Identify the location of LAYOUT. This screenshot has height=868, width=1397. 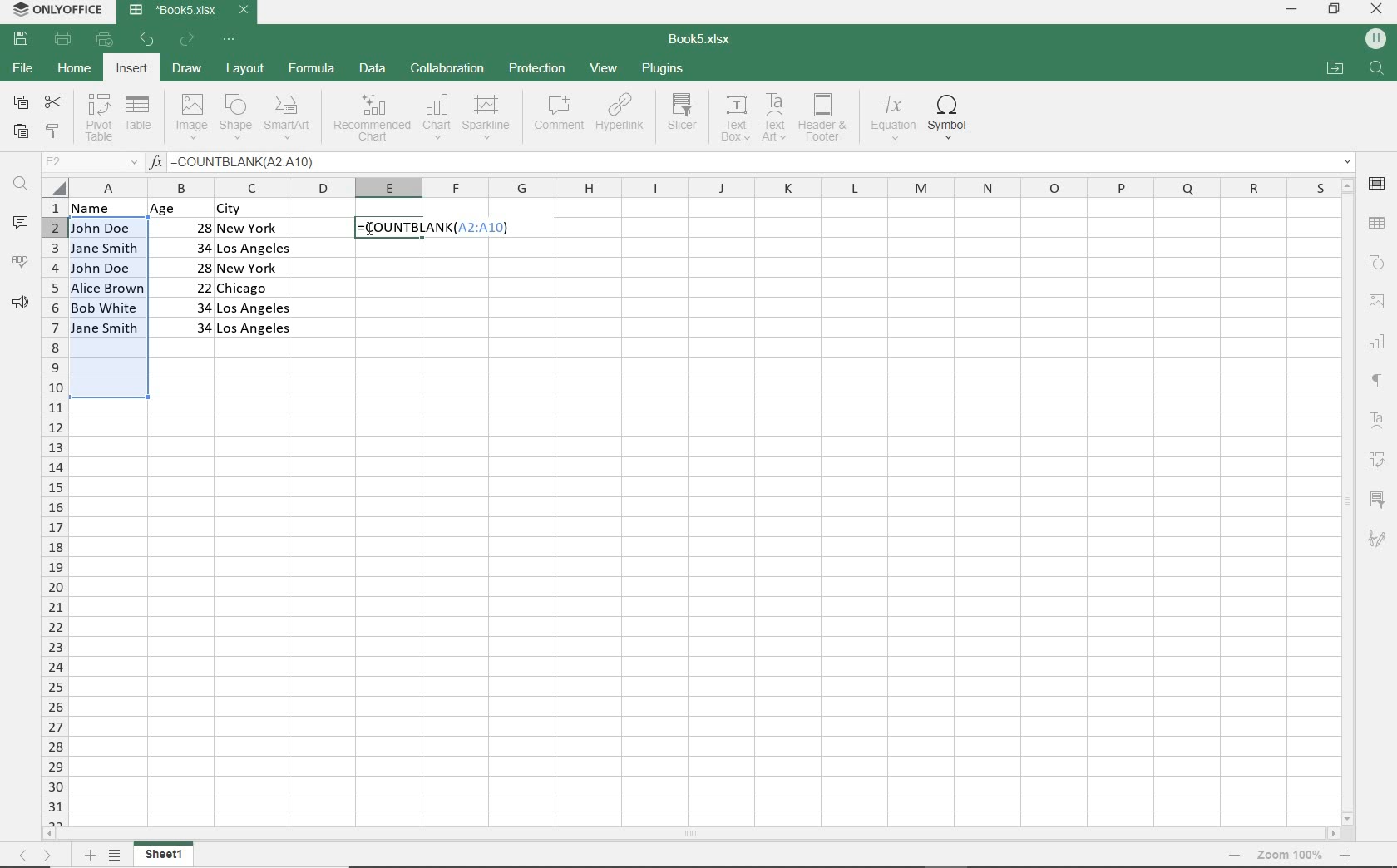
(245, 69).